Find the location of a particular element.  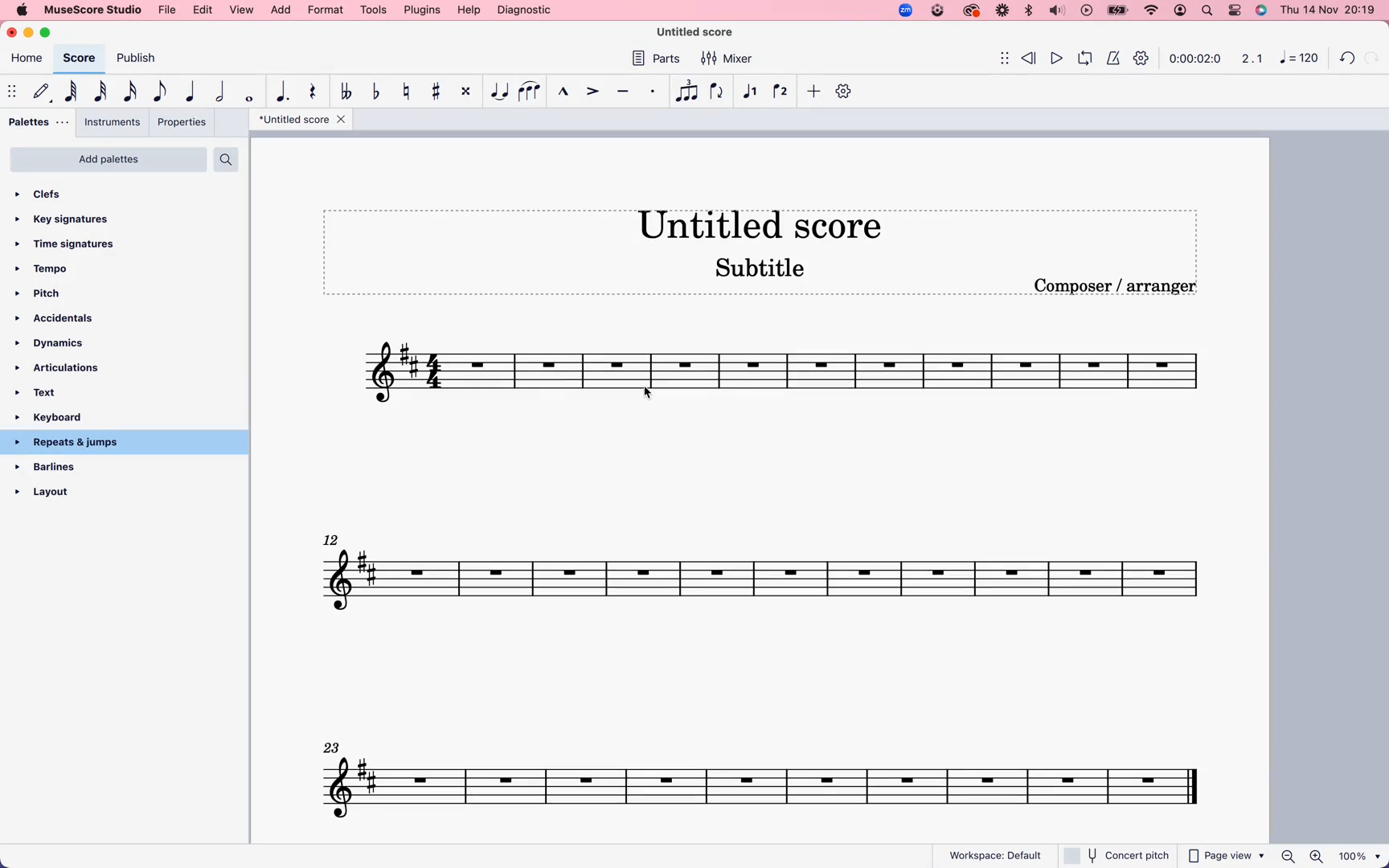

play is located at coordinates (1057, 56).